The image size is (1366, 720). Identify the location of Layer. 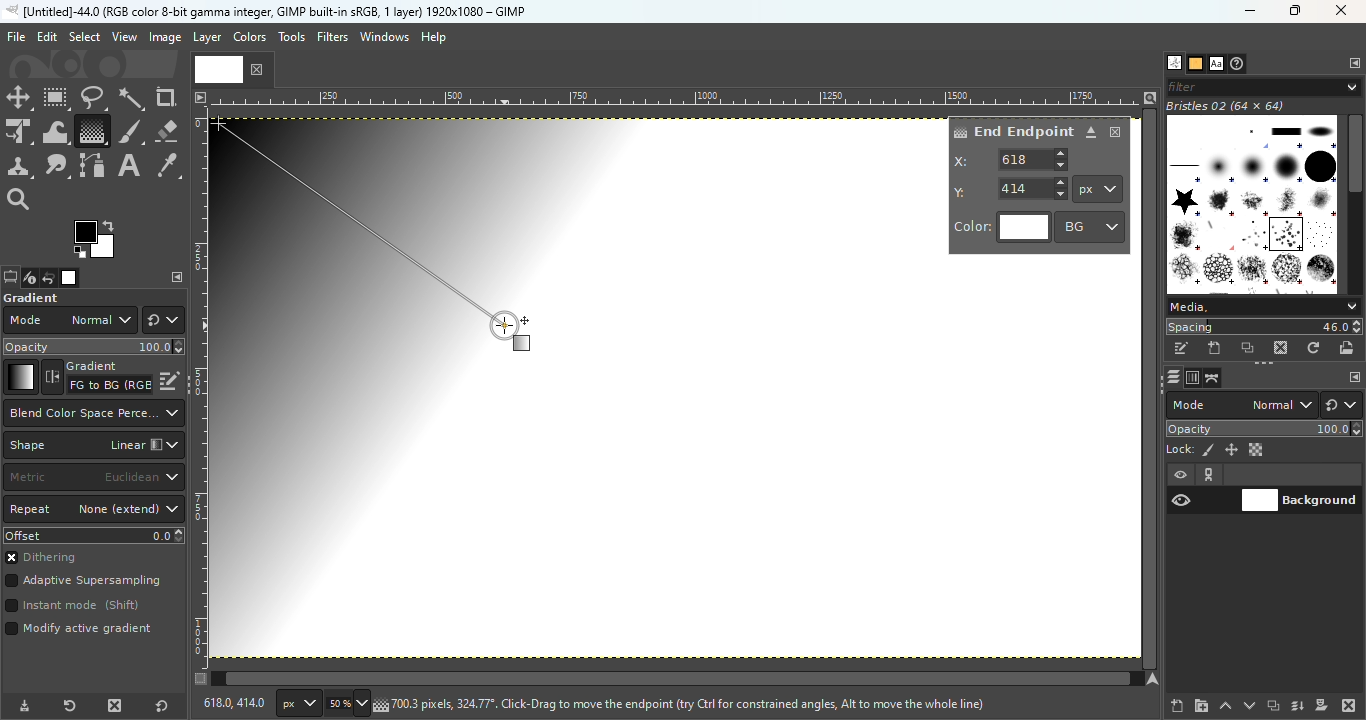
(206, 38).